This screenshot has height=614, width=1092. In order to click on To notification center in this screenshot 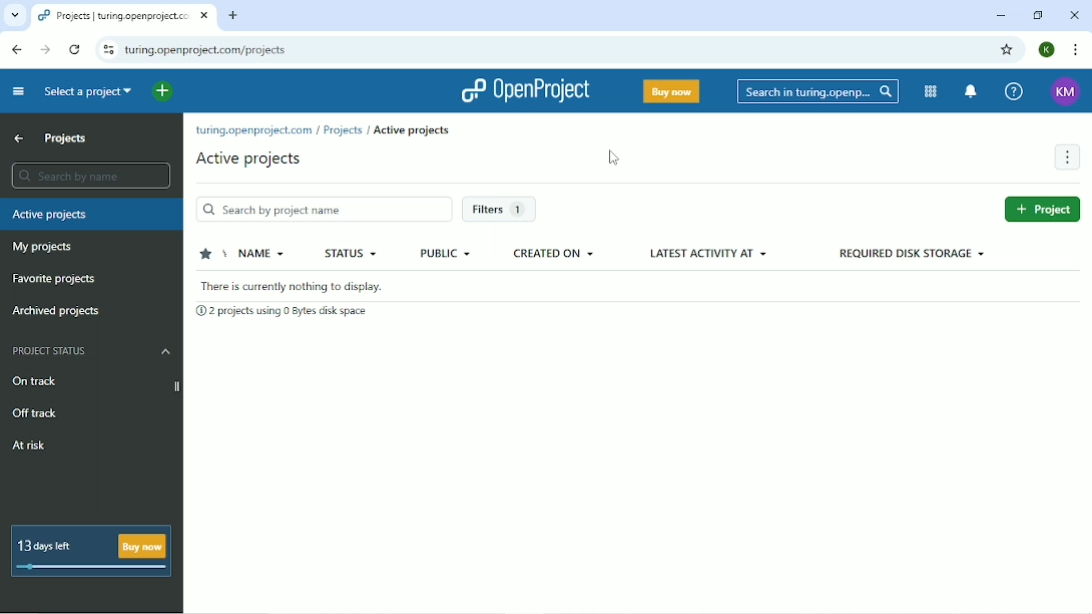, I will do `click(970, 92)`.